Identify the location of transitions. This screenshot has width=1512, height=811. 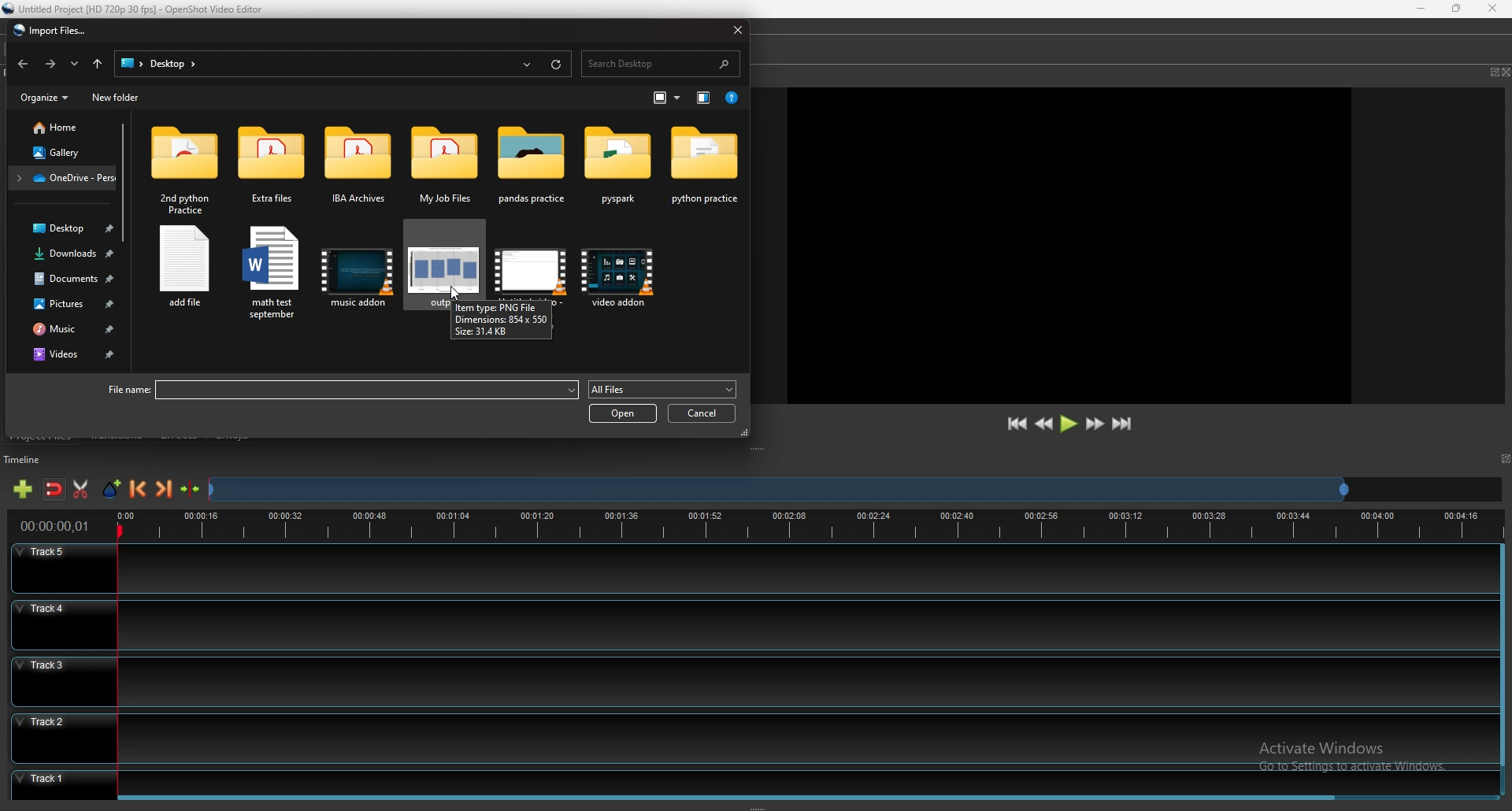
(117, 435).